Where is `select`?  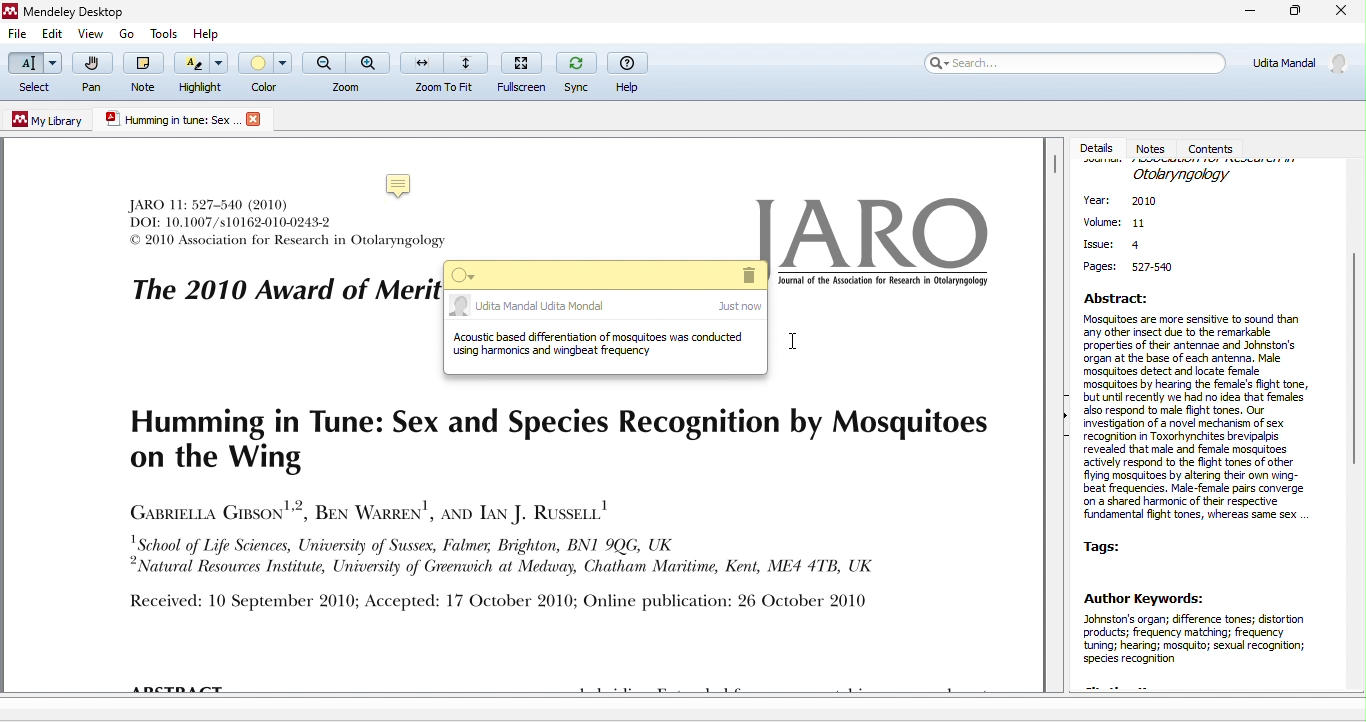 select is located at coordinates (33, 74).